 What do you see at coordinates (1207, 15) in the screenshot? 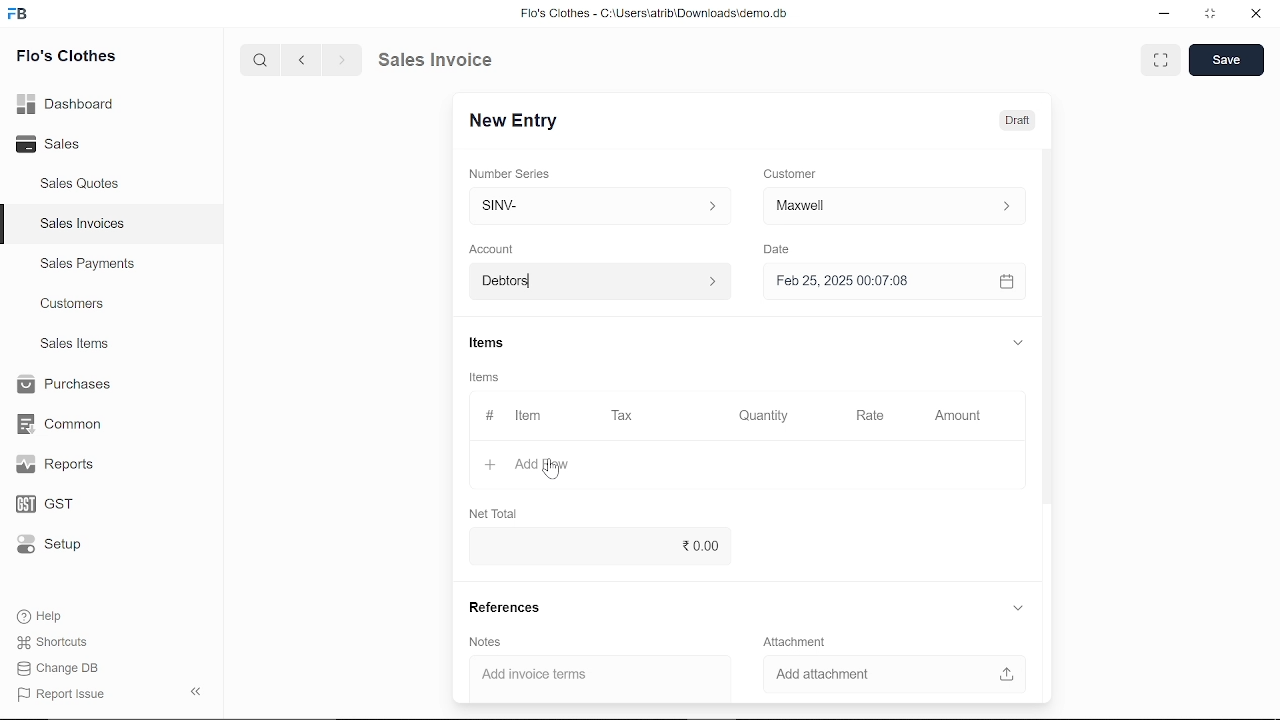
I see `restore down` at bounding box center [1207, 15].